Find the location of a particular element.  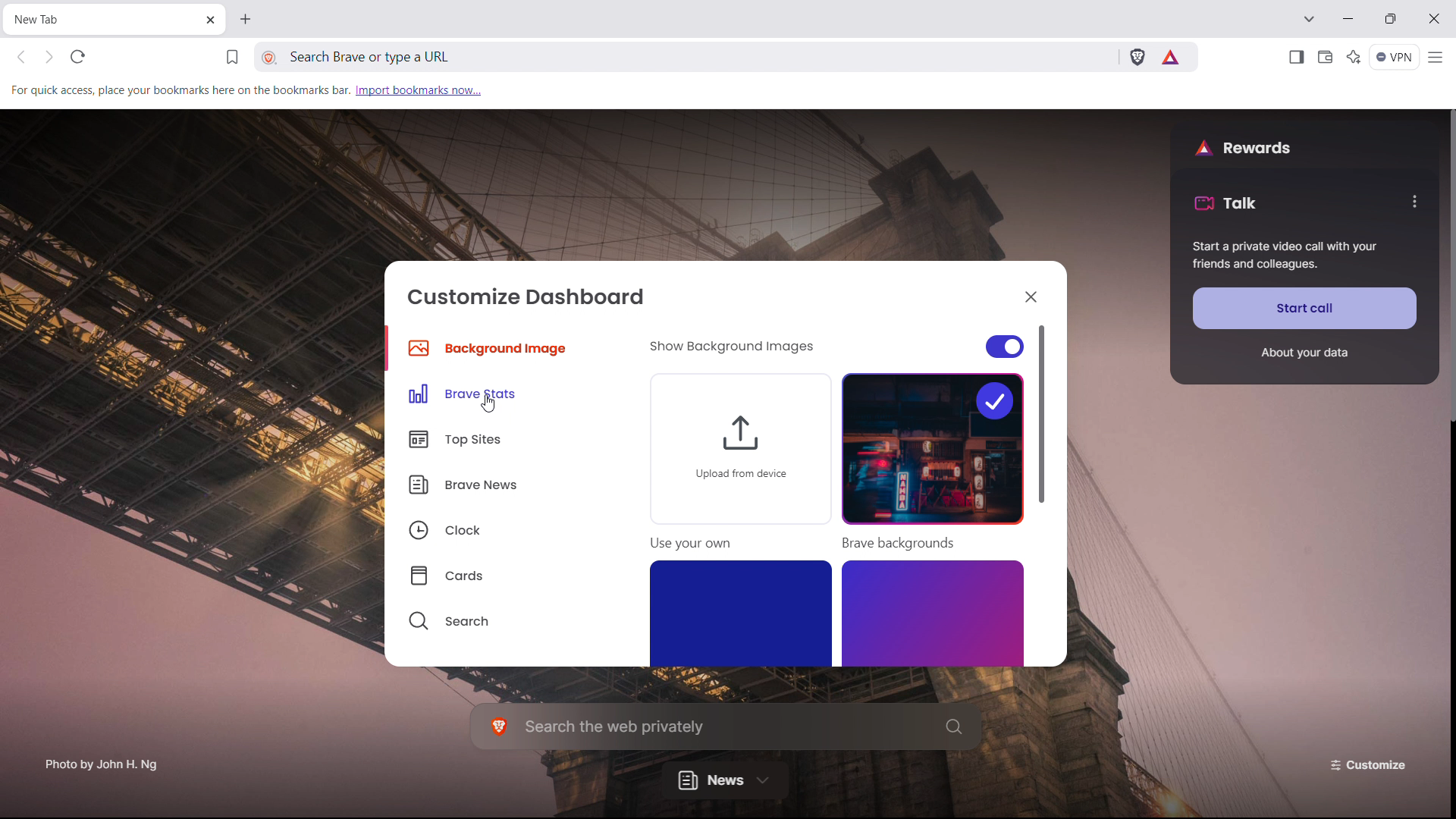

reload this page is located at coordinates (78, 56).